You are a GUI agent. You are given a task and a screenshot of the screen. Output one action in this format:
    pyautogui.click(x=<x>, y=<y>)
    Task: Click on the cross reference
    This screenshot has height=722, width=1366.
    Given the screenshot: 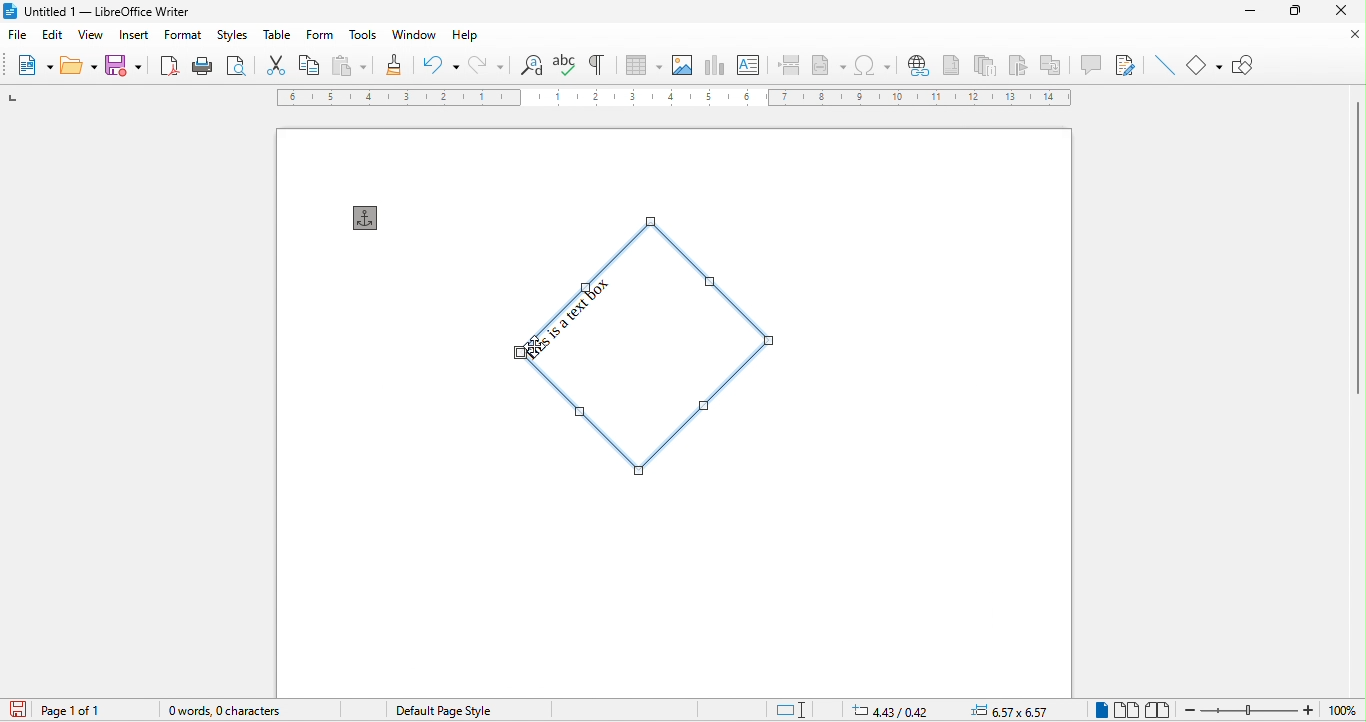 What is the action you would take?
    pyautogui.click(x=1056, y=64)
    